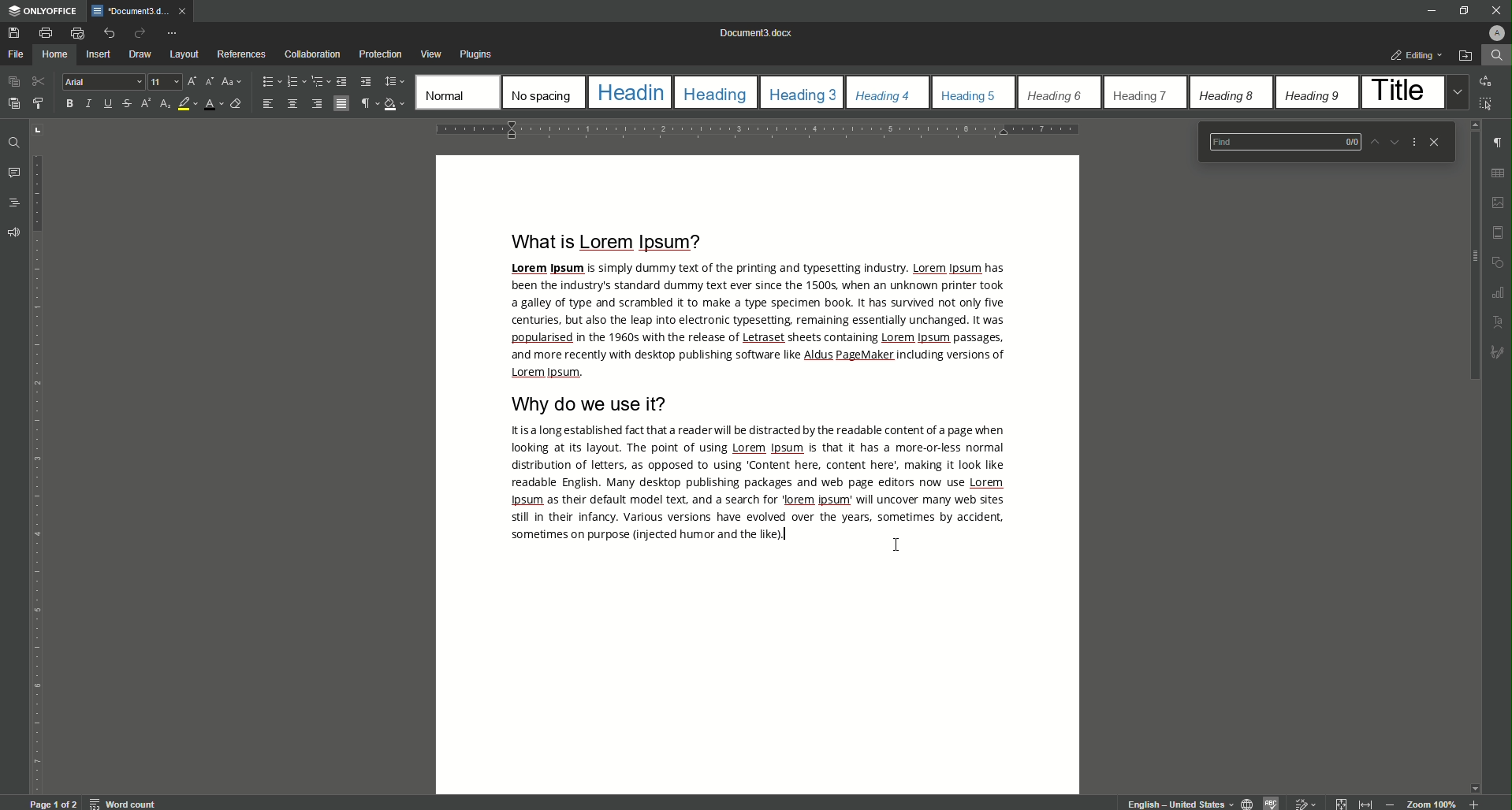 The width and height of the screenshot is (1512, 810). What do you see at coordinates (186, 104) in the screenshot?
I see `Highlight Color` at bounding box center [186, 104].